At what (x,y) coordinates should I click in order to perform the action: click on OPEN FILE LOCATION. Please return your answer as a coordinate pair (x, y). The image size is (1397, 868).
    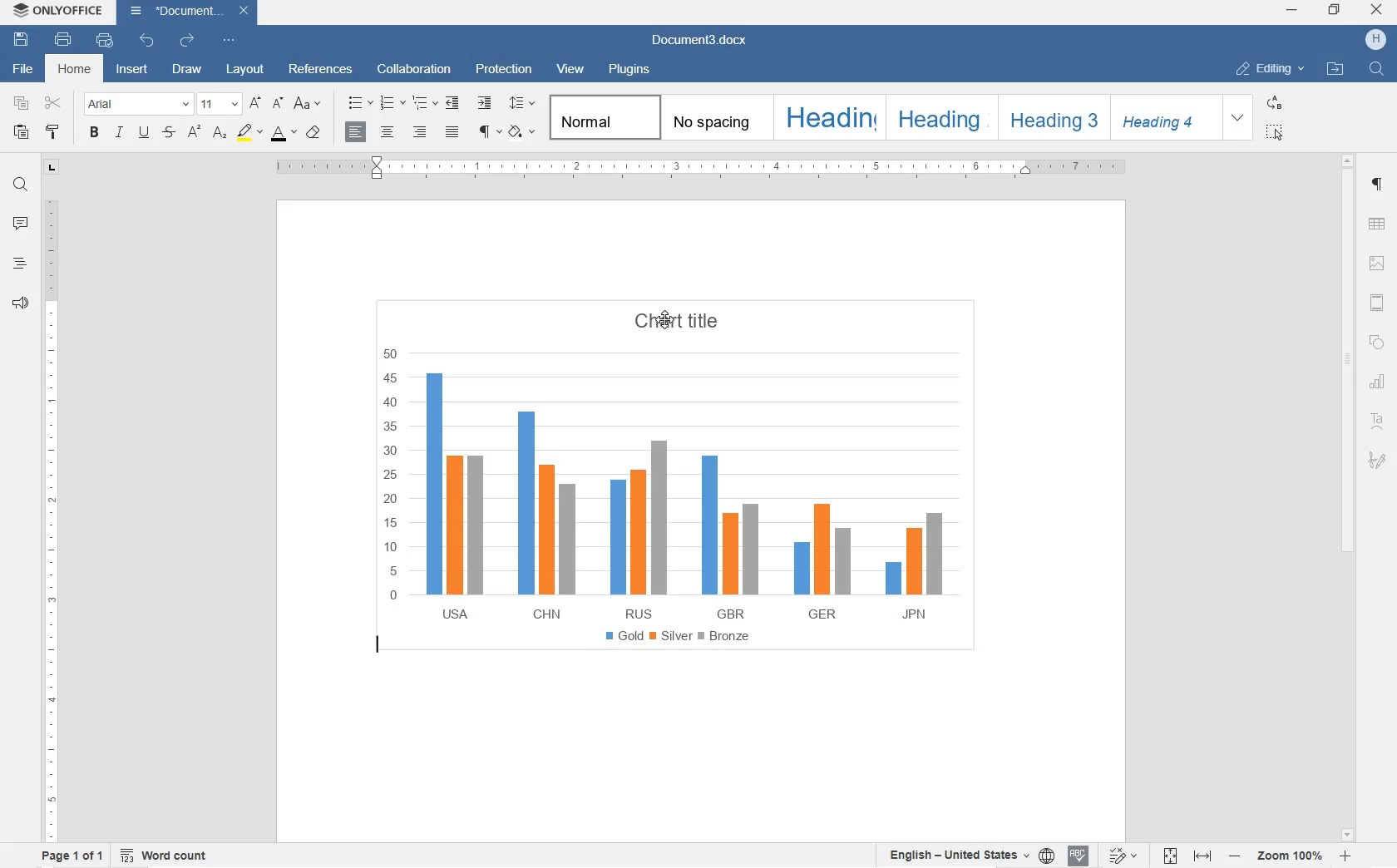
    Looking at the image, I should click on (1336, 68).